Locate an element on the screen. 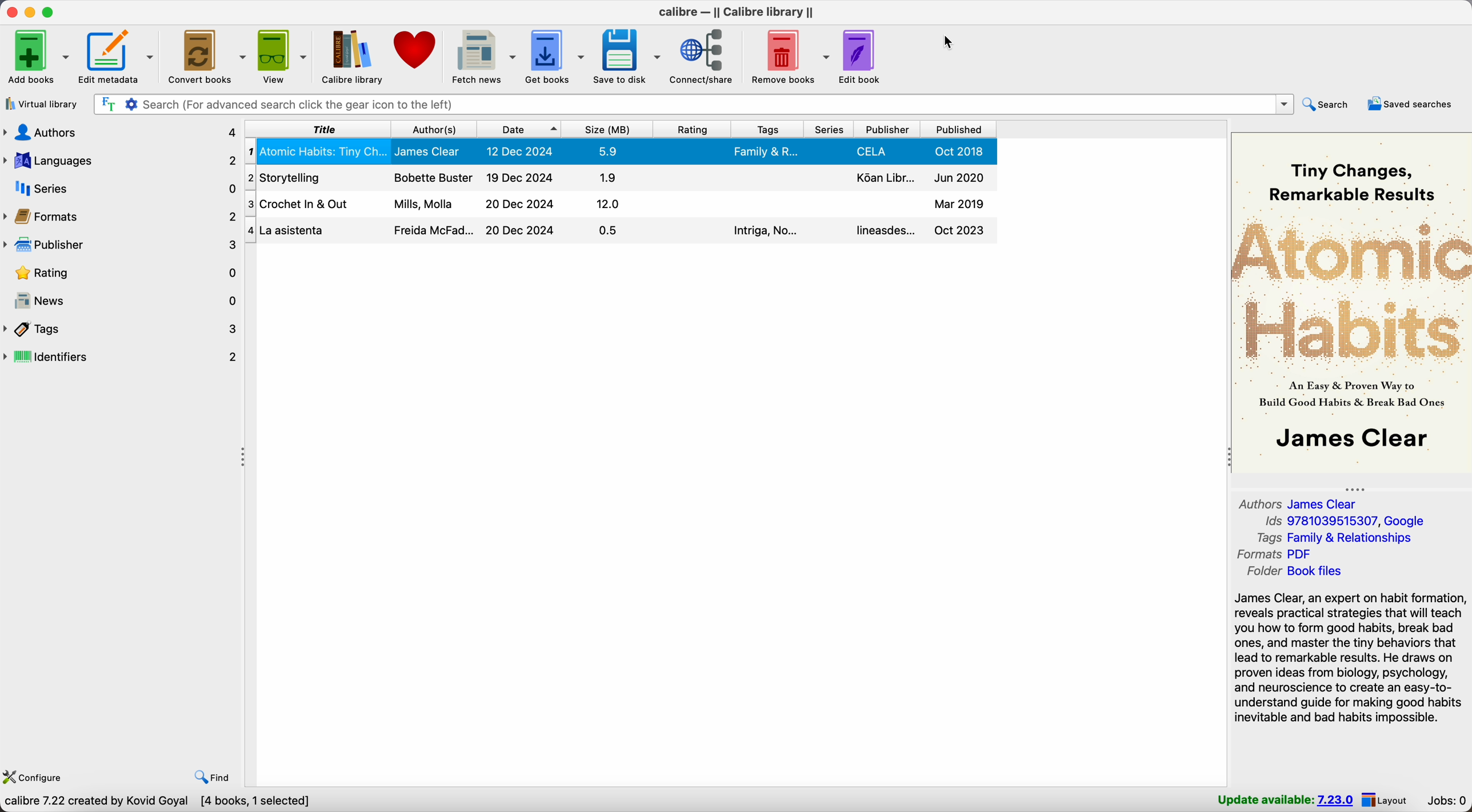 This screenshot has height=812, width=1472. authors is located at coordinates (1301, 502).